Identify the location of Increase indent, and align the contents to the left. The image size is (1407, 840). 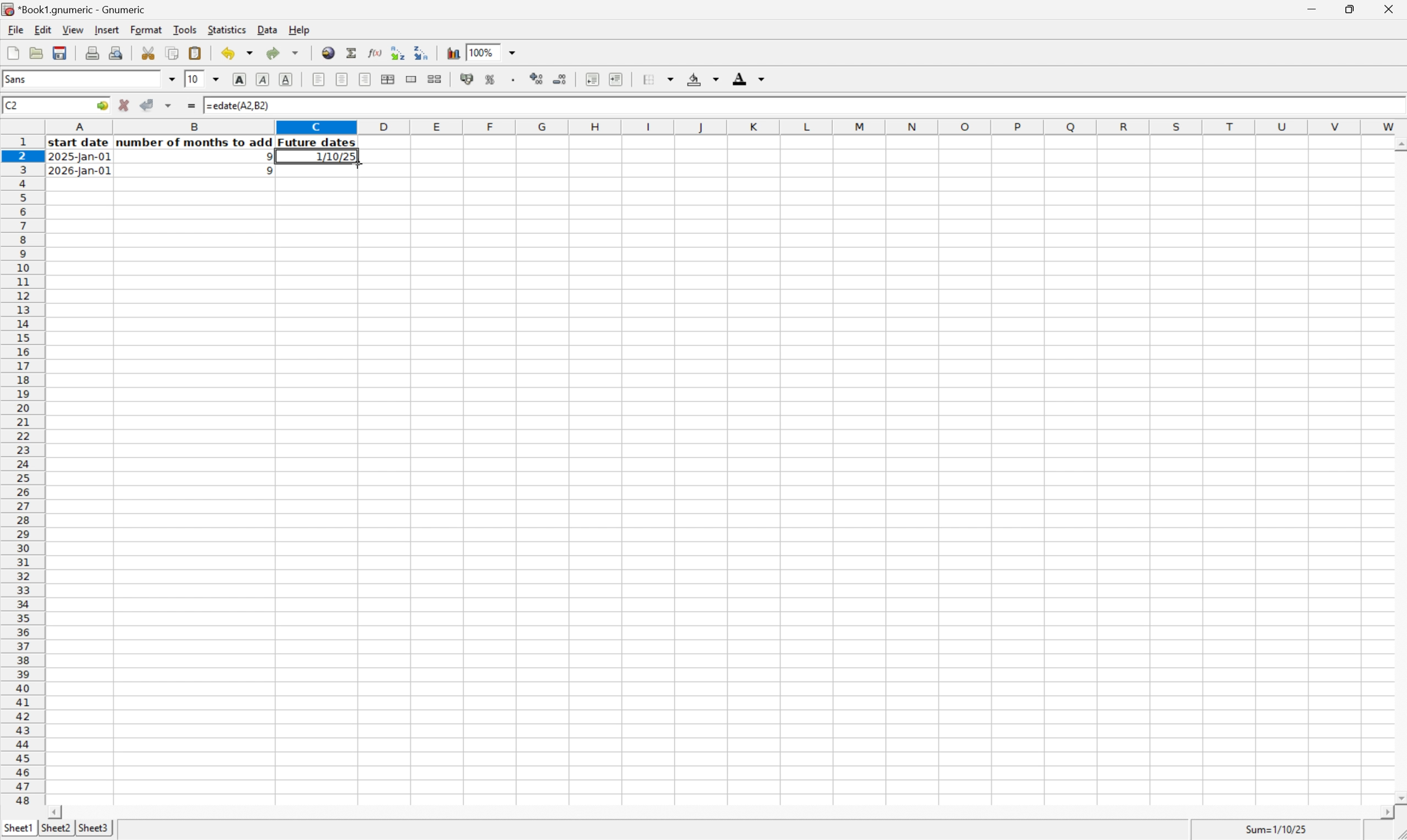
(615, 79).